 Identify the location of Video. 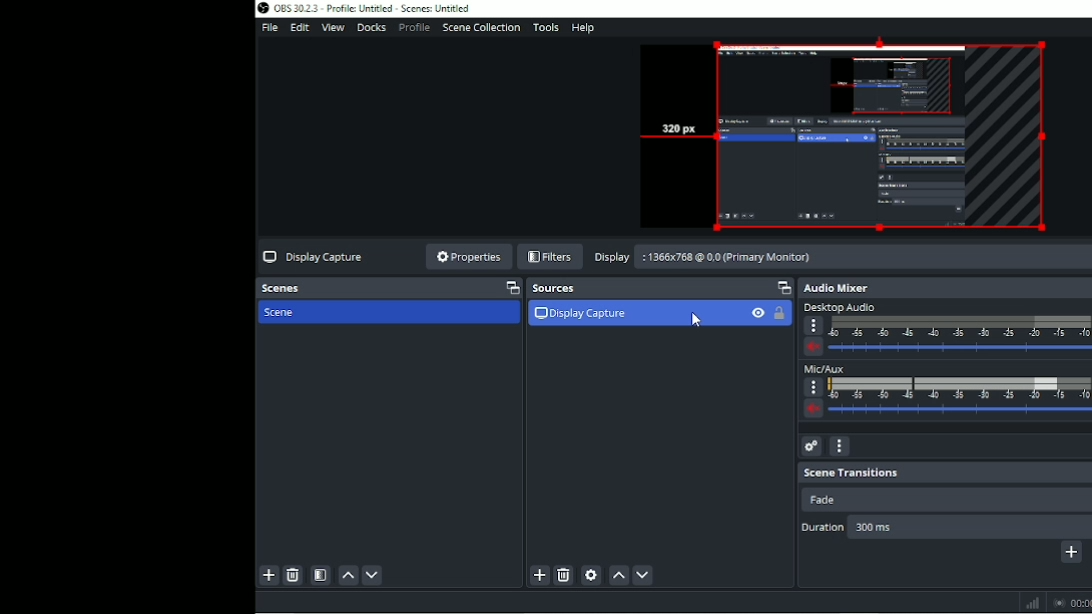
(882, 136).